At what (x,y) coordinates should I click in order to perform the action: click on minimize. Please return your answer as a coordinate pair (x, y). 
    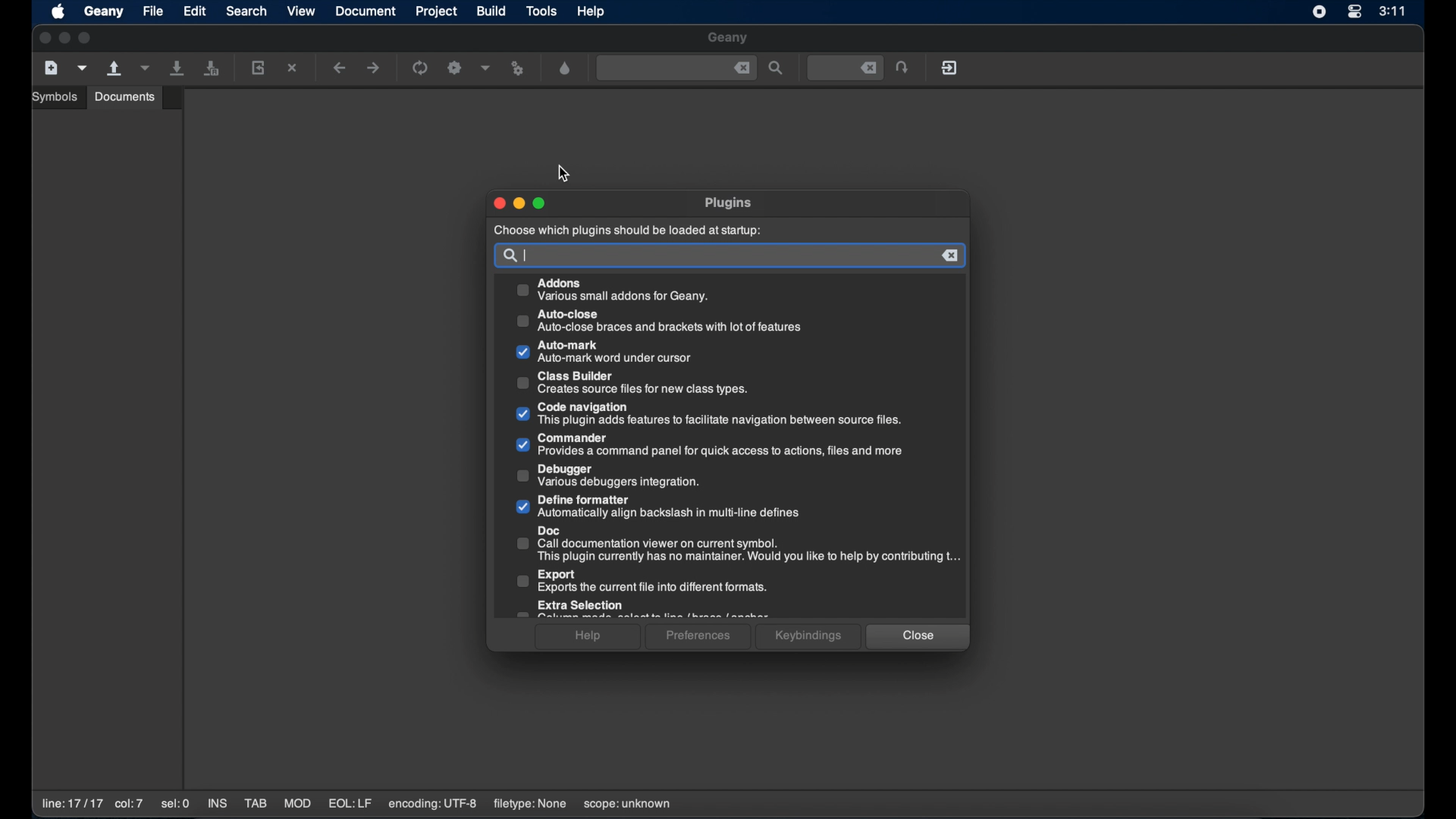
    Looking at the image, I should click on (65, 39).